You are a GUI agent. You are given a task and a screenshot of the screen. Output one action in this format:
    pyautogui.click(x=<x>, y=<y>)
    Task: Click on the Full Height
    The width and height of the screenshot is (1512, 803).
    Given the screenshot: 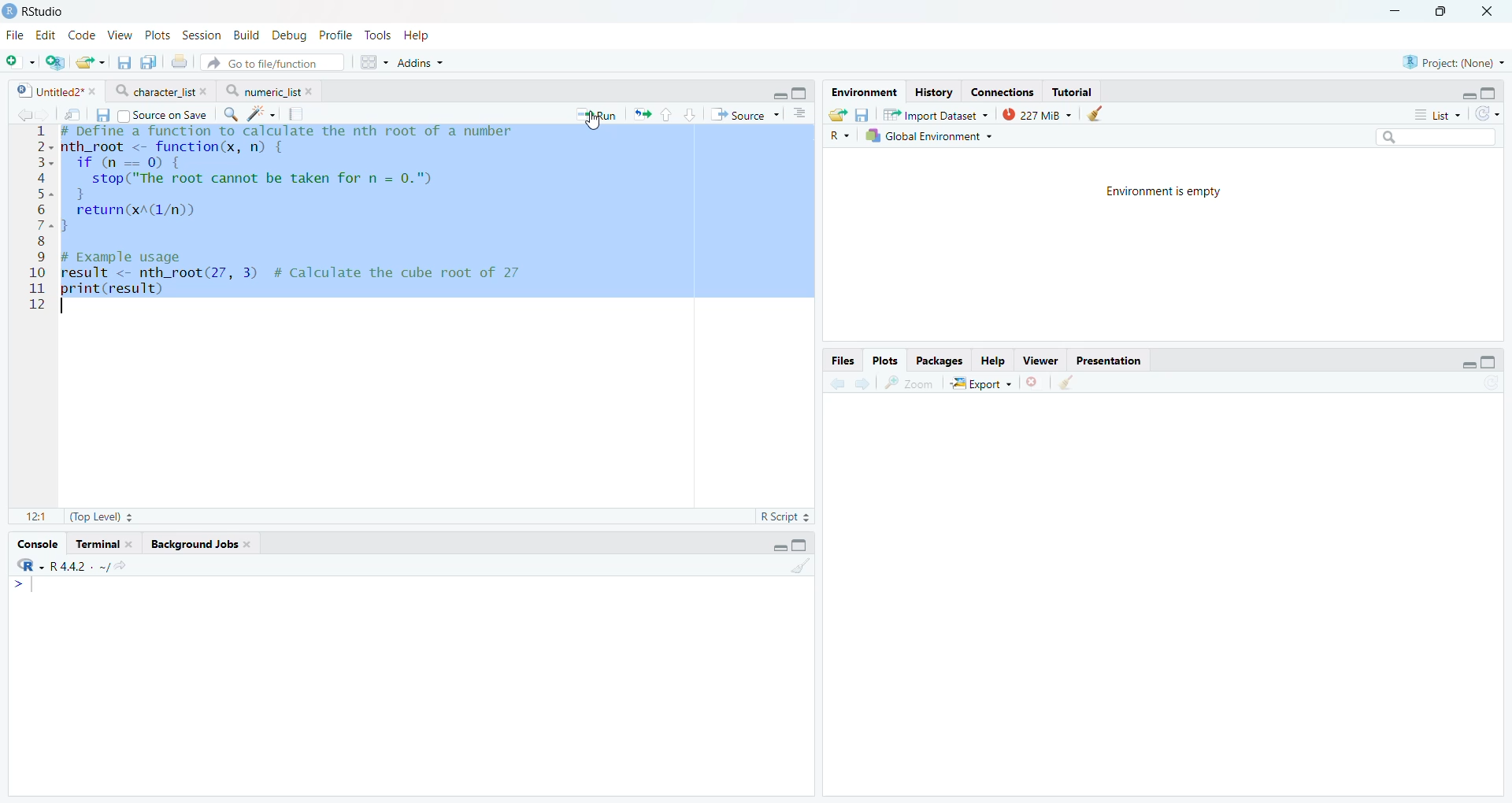 What is the action you would take?
    pyautogui.click(x=801, y=544)
    